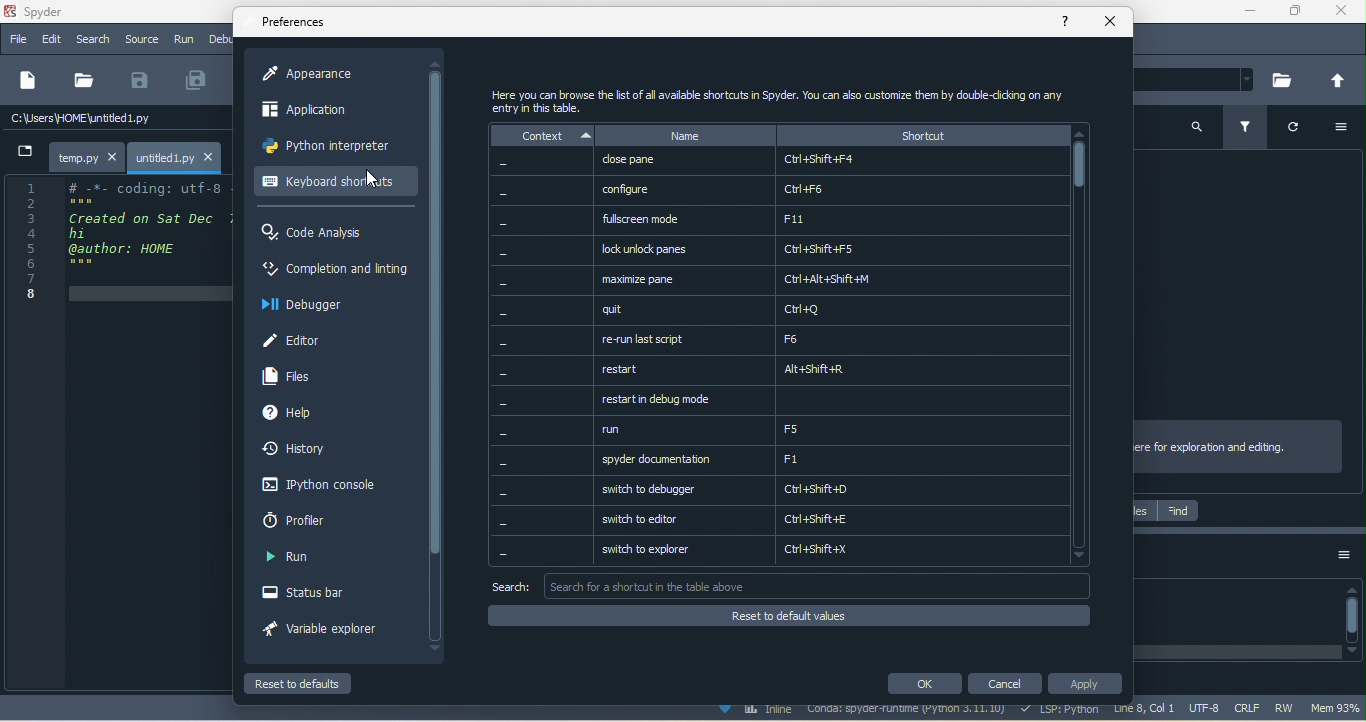 The image size is (1366, 722). I want to click on c\users\home, so click(1200, 81).